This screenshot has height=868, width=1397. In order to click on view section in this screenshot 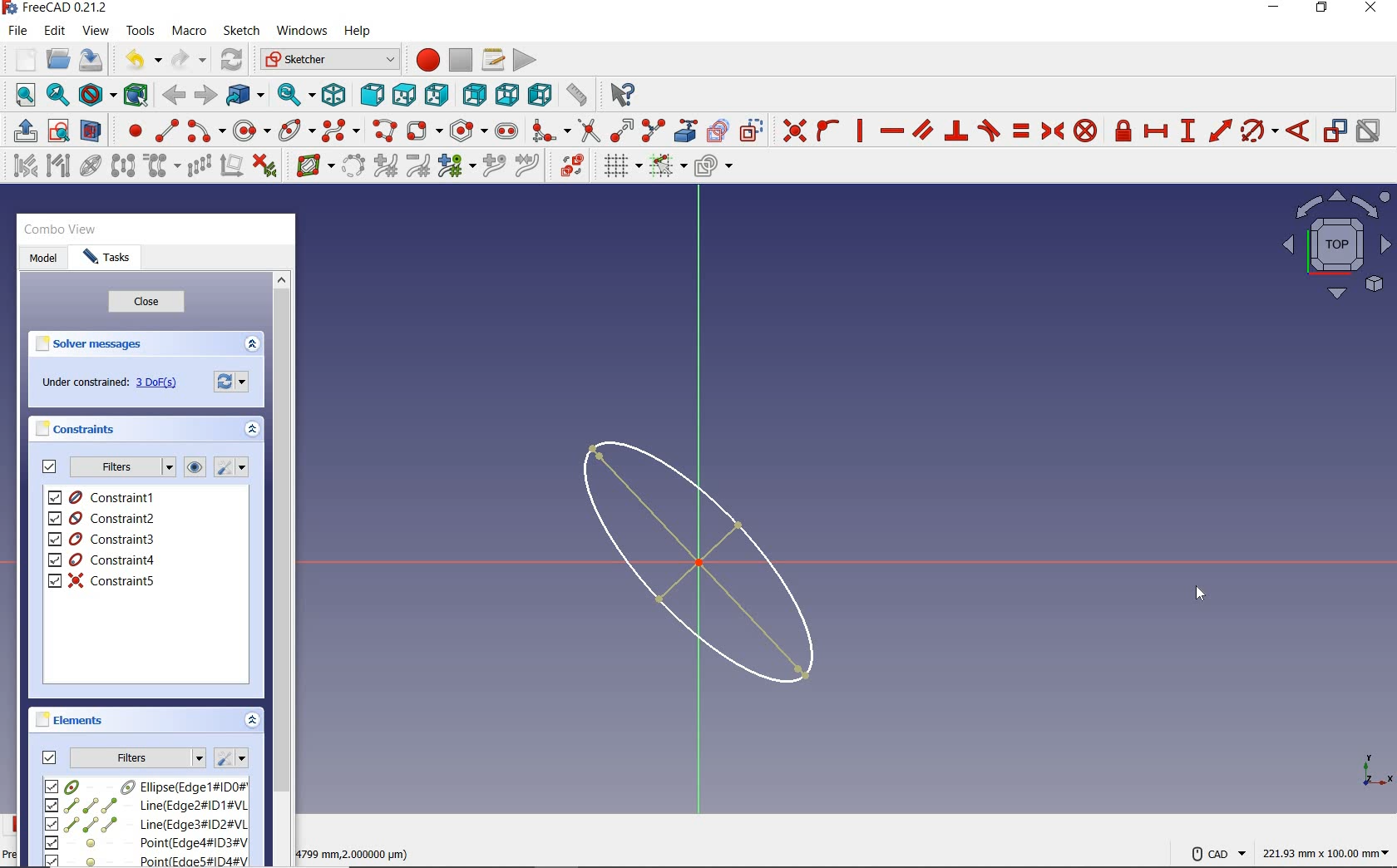, I will do `click(94, 131)`.